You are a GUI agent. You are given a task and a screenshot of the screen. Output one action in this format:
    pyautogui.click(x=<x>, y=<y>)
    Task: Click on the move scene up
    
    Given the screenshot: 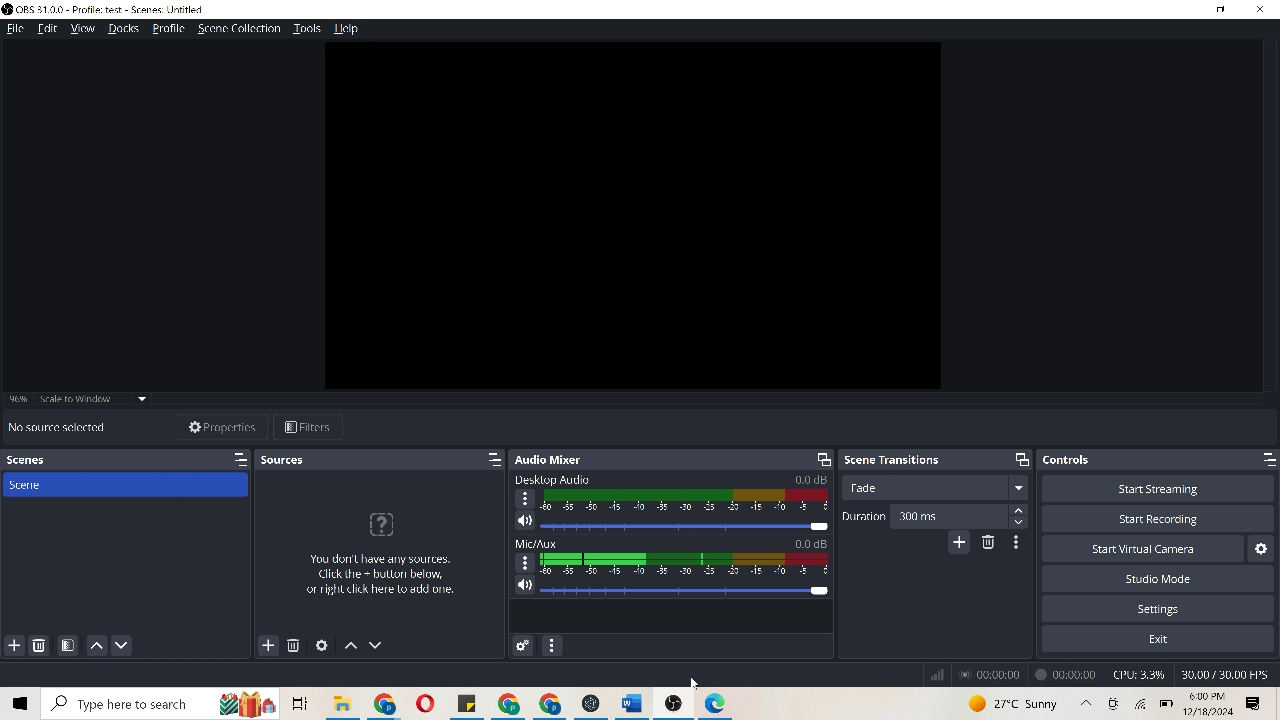 What is the action you would take?
    pyautogui.click(x=97, y=643)
    